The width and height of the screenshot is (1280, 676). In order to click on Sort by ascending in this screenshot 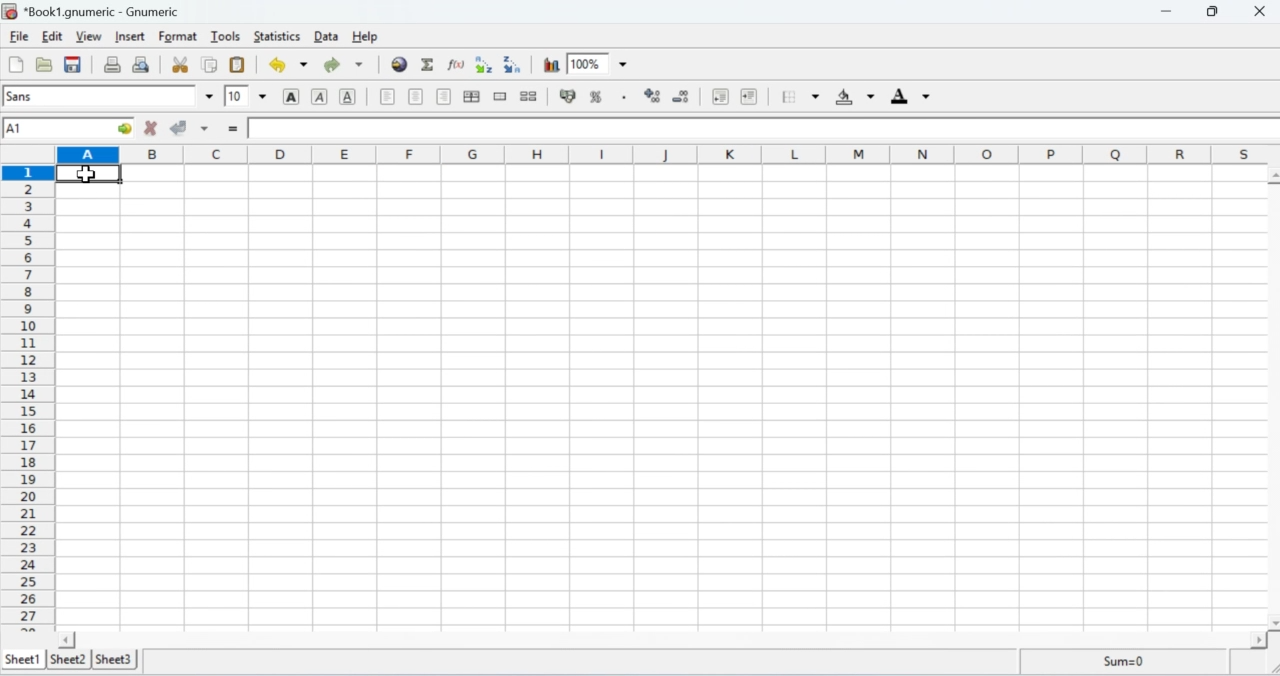, I will do `click(484, 65)`.